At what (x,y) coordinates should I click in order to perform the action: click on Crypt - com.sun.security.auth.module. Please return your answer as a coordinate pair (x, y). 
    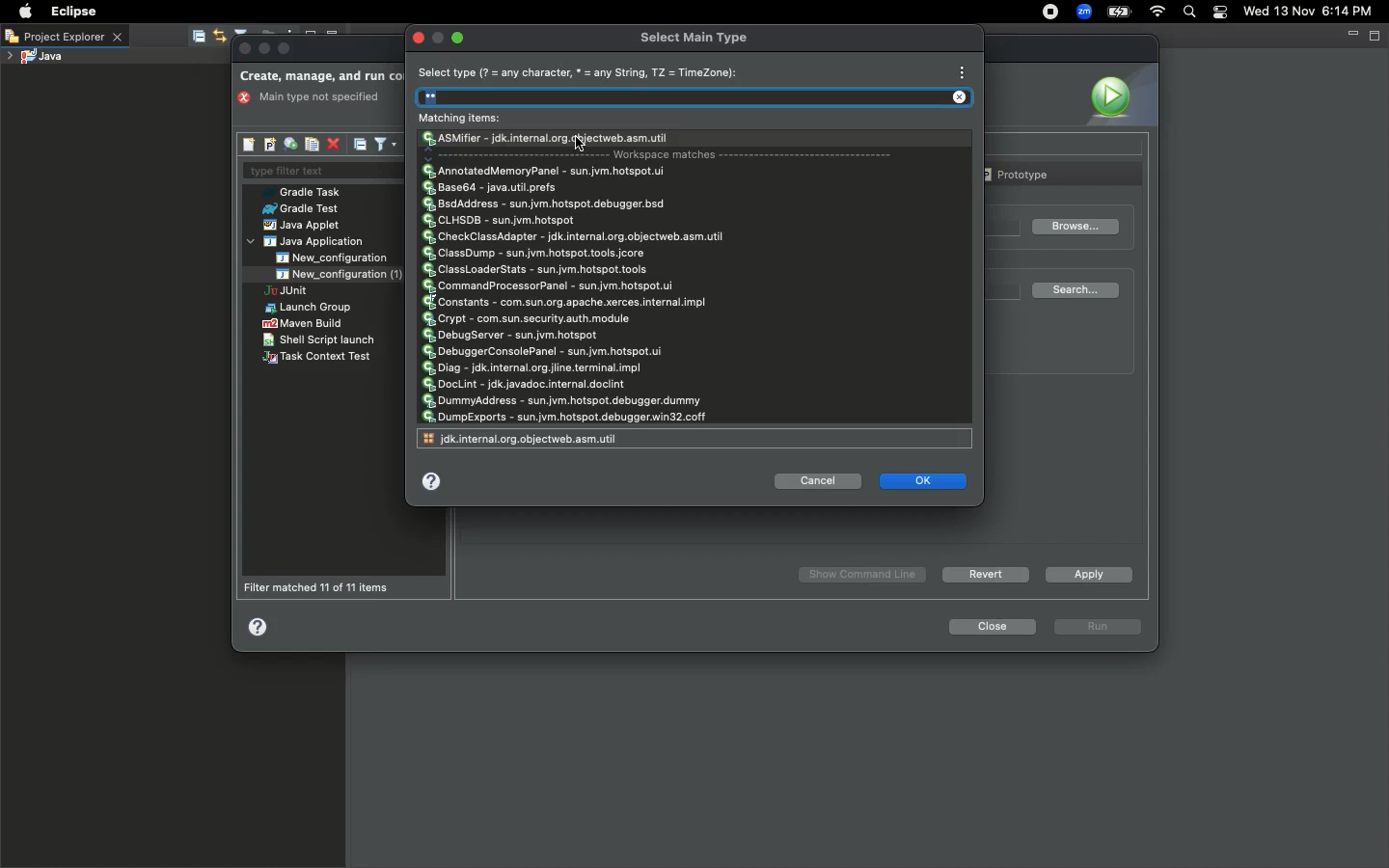
    Looking at the image, I should click on (528, 317).